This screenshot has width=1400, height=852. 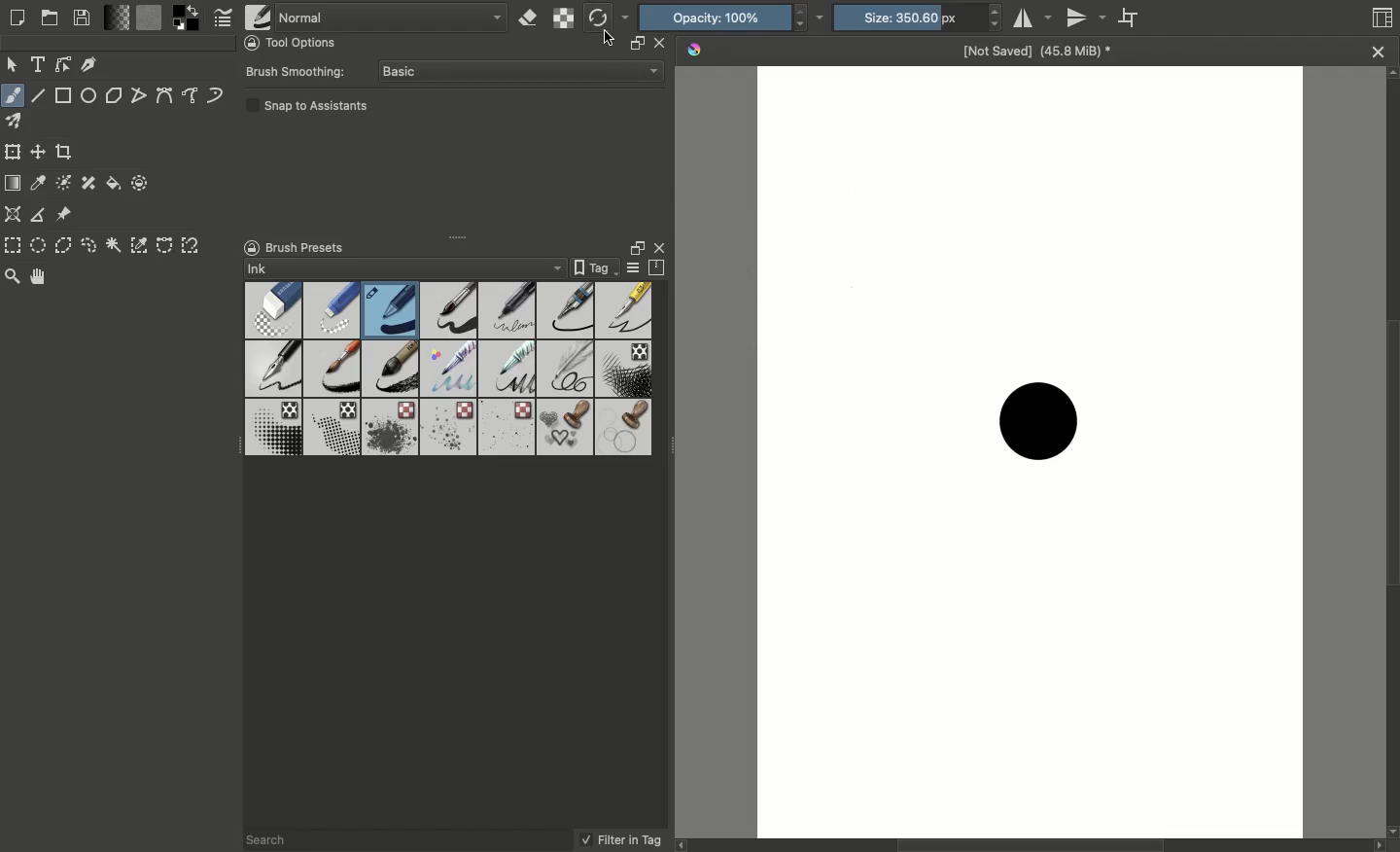 What do you see at coordinates (91, 183) in the screenshot?
I see `Smart patch` at bounding box center [91, 183].